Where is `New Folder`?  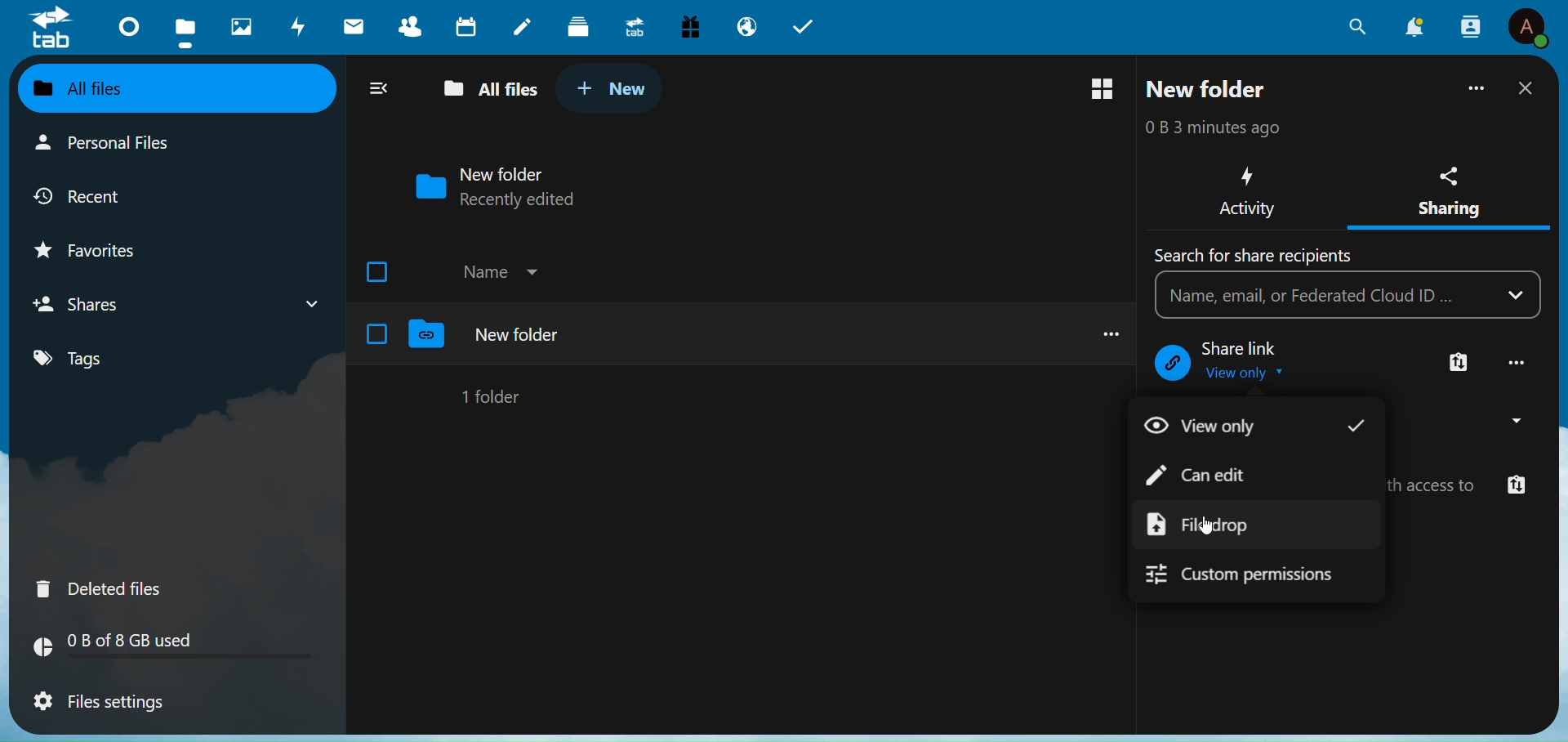 New Folder is located at coordinates (519, 334).